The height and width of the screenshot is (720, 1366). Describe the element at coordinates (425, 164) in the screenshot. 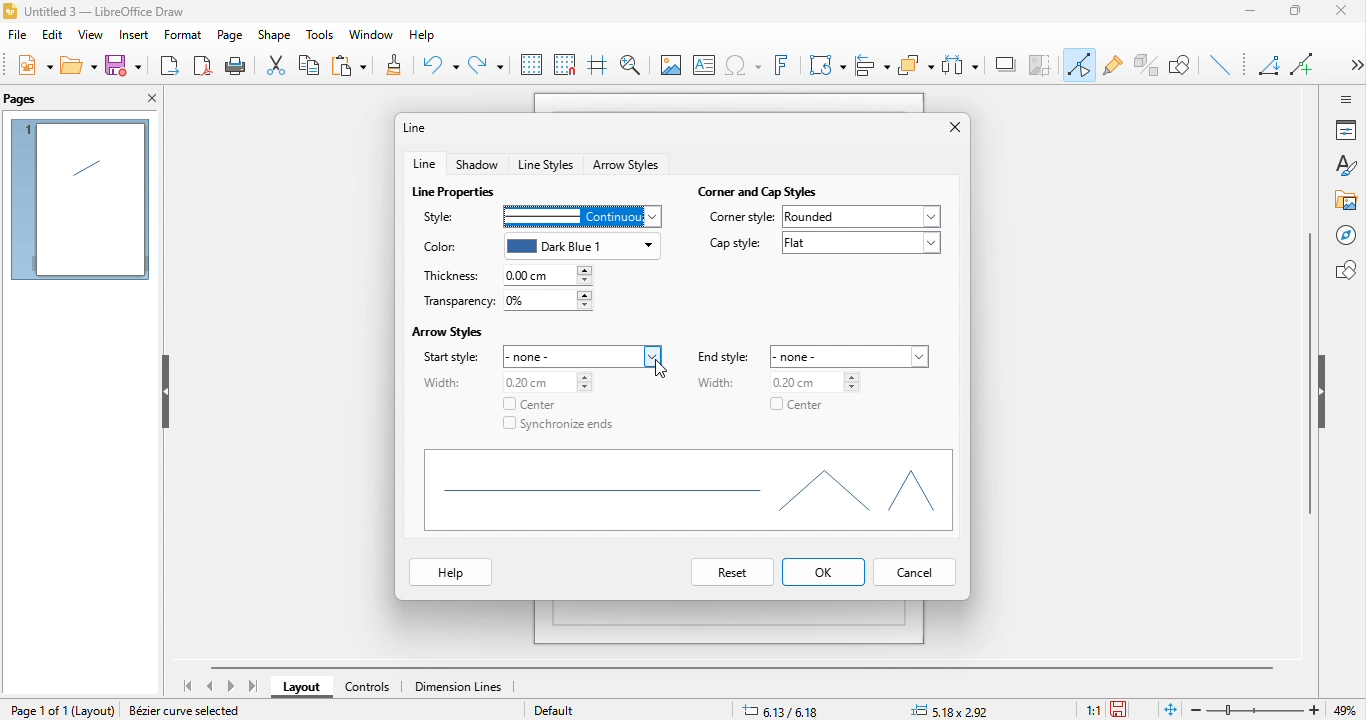

I see `line` at that location.